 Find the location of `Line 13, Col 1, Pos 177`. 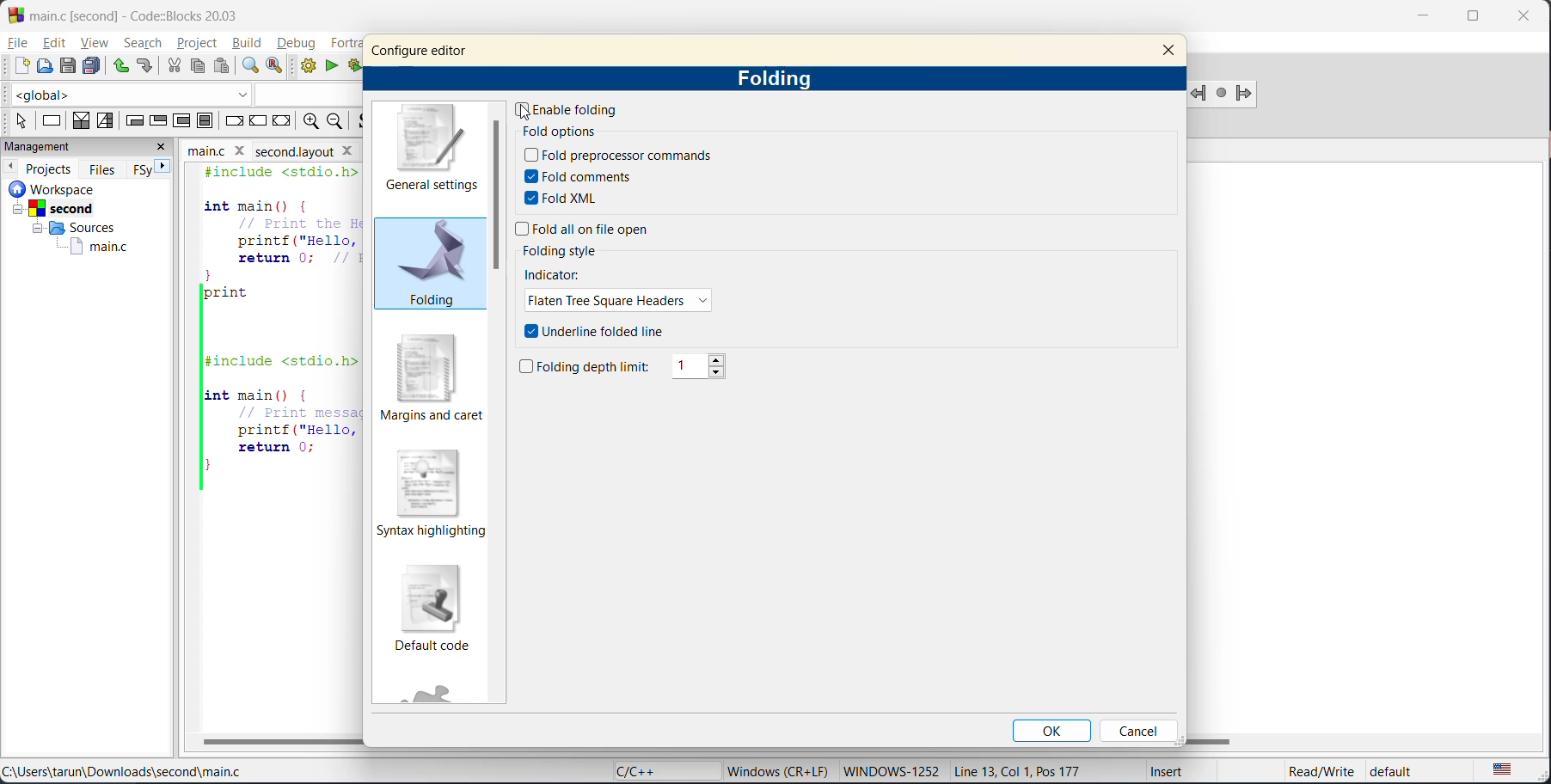

Line 13, Col 1, Pos 177 is located at coordinates (1027, 769).